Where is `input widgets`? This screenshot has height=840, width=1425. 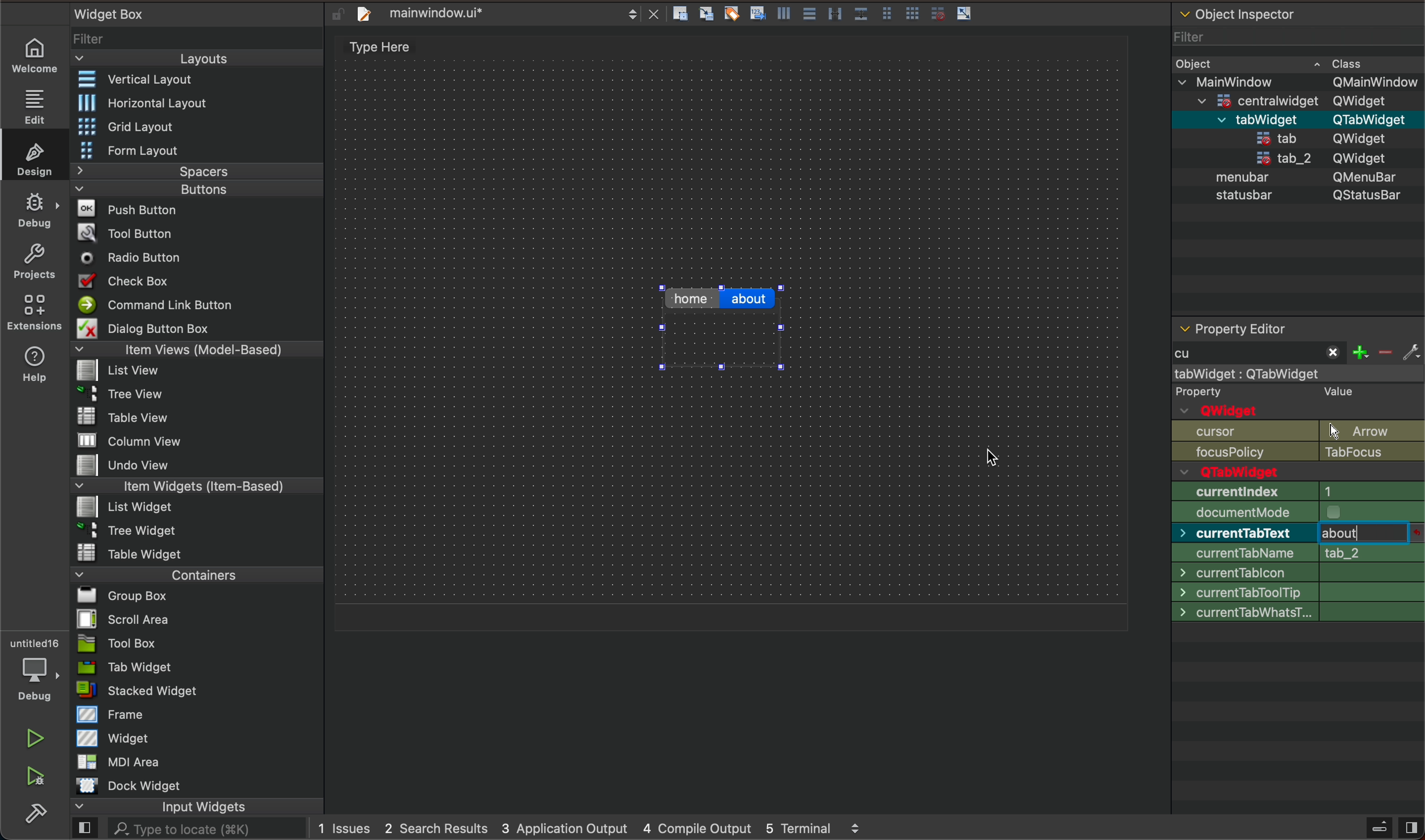 input widgets is located at coordinates (199, 808).